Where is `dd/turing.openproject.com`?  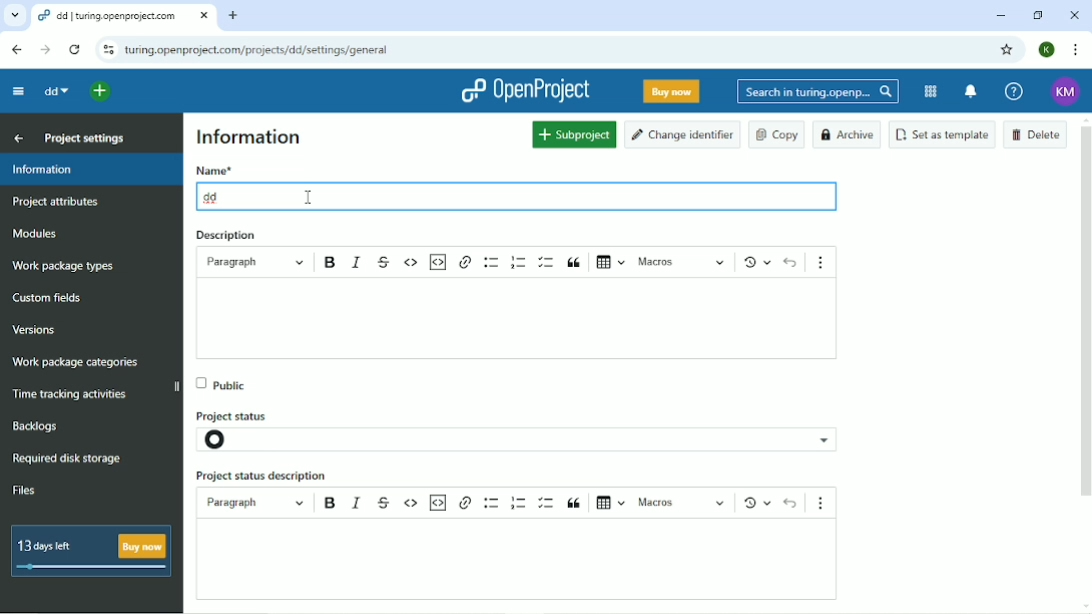 dd/turing.openproject.com is located at coordinates (122, 16).